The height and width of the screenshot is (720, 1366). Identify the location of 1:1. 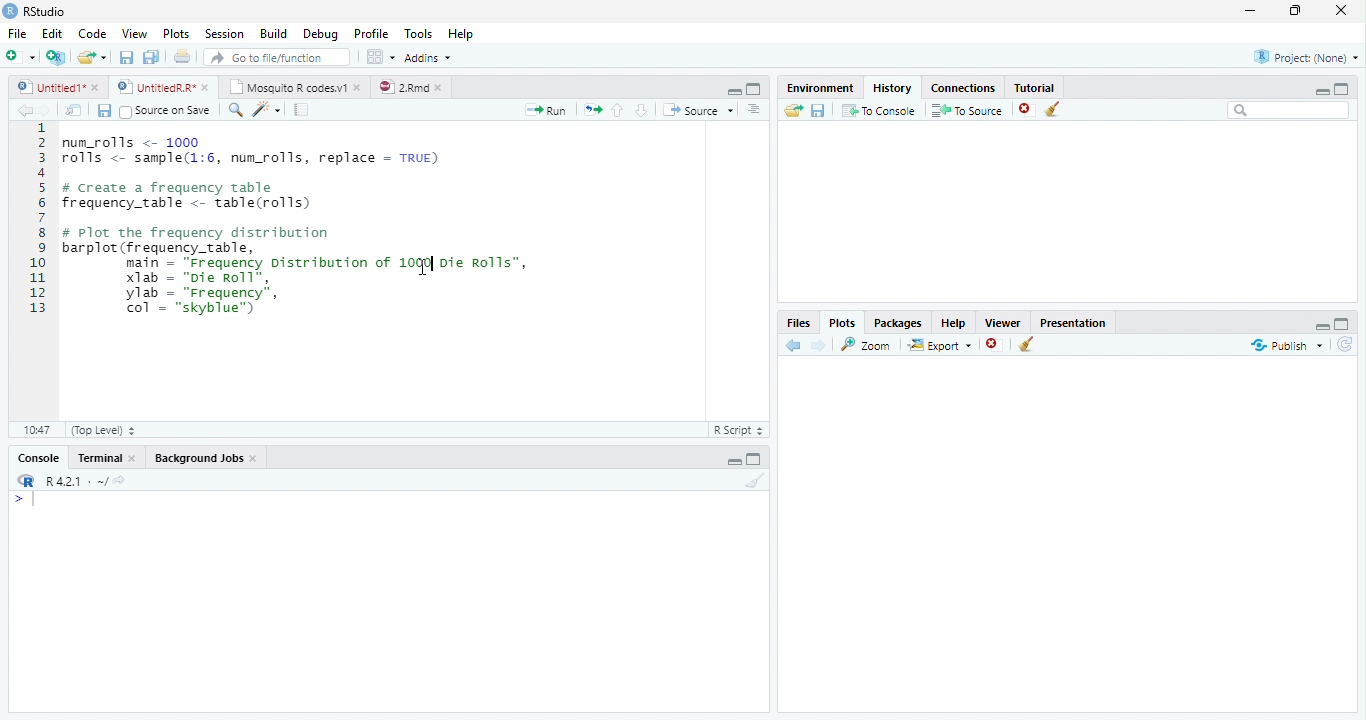
(35, 430).